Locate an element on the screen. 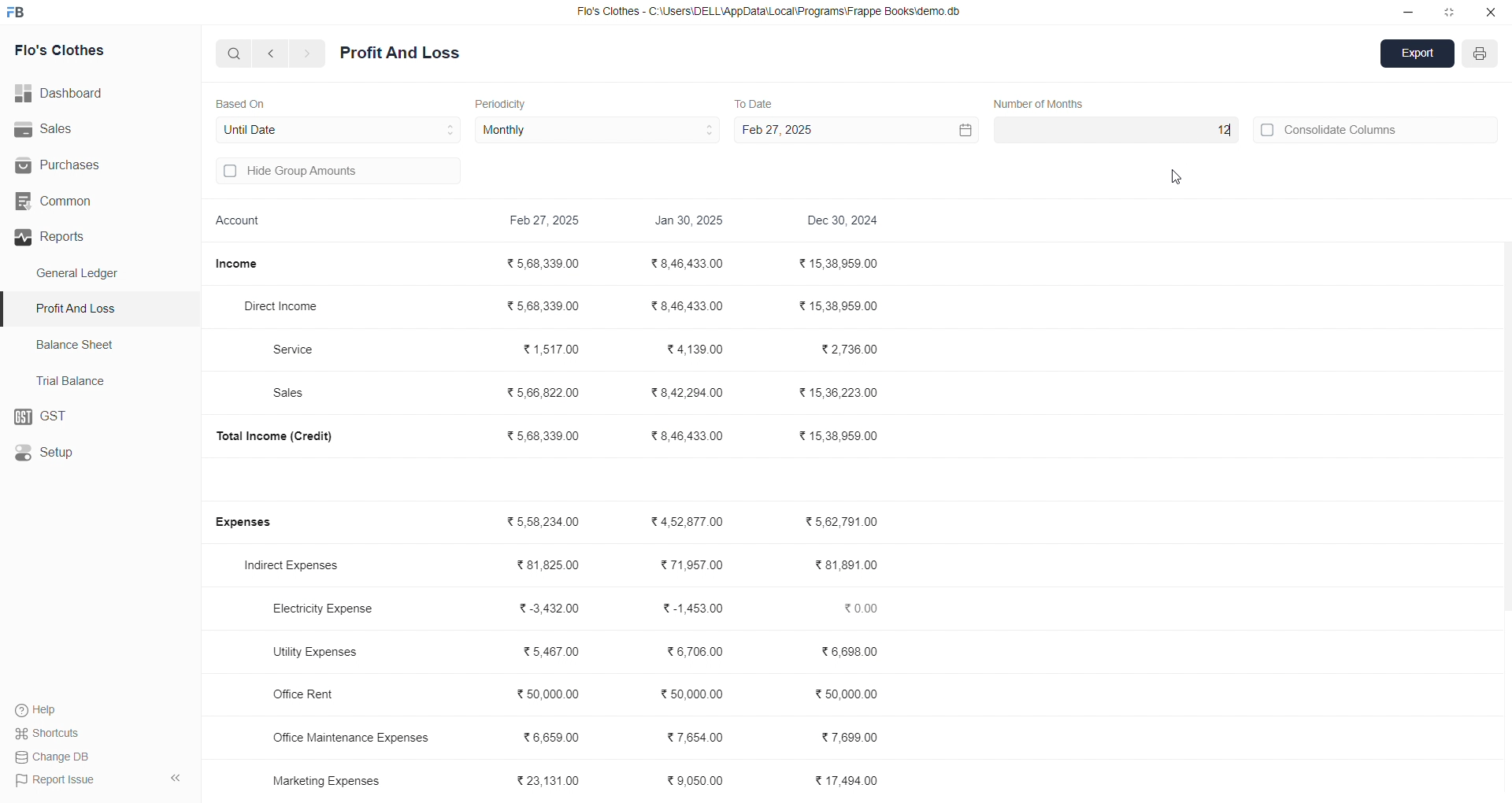  Purchases is located at coordinates (76, 165).